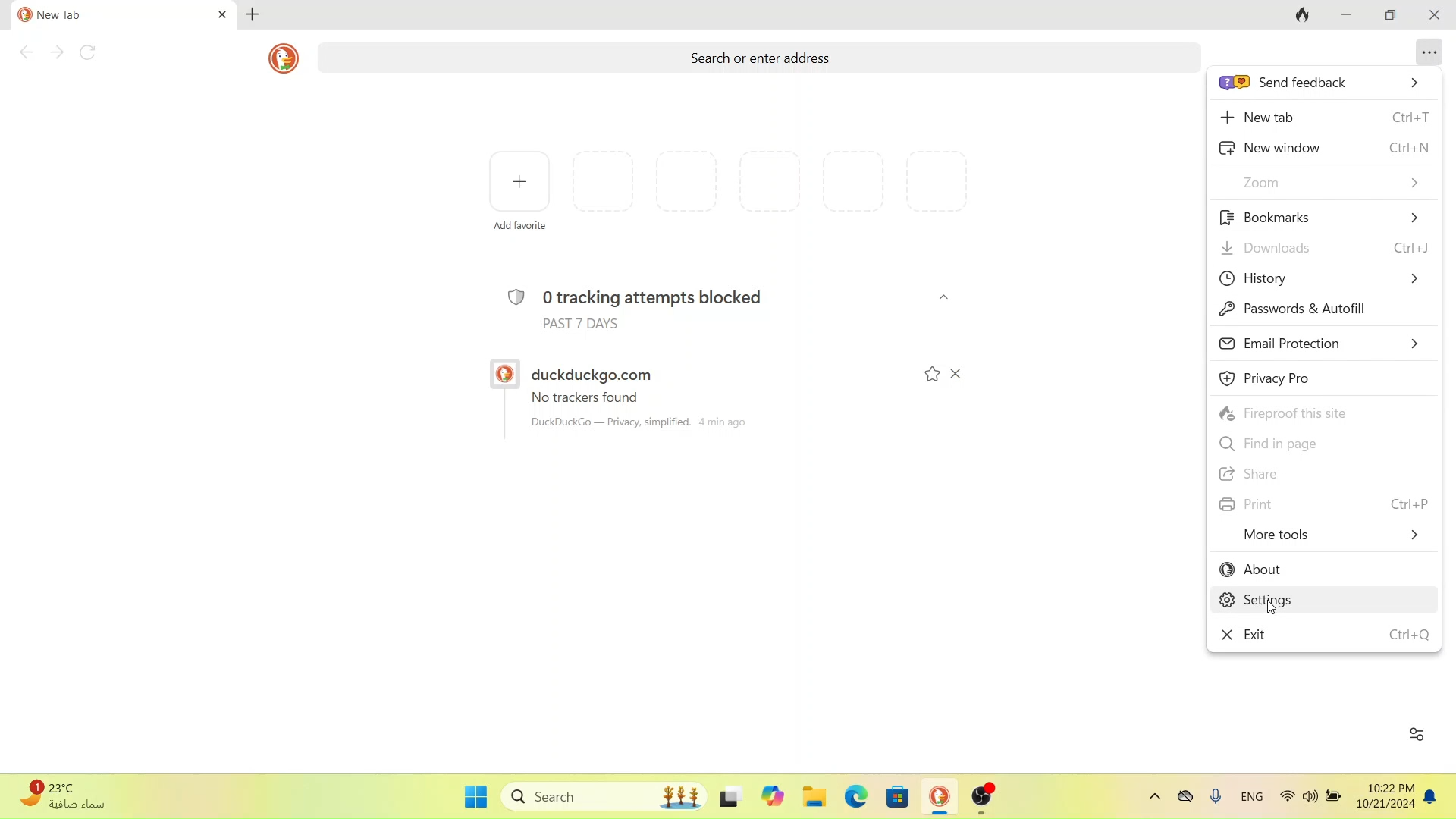 The height and width of the screenshot is (819, 1456). I want to click on english, so click(1255, 803).